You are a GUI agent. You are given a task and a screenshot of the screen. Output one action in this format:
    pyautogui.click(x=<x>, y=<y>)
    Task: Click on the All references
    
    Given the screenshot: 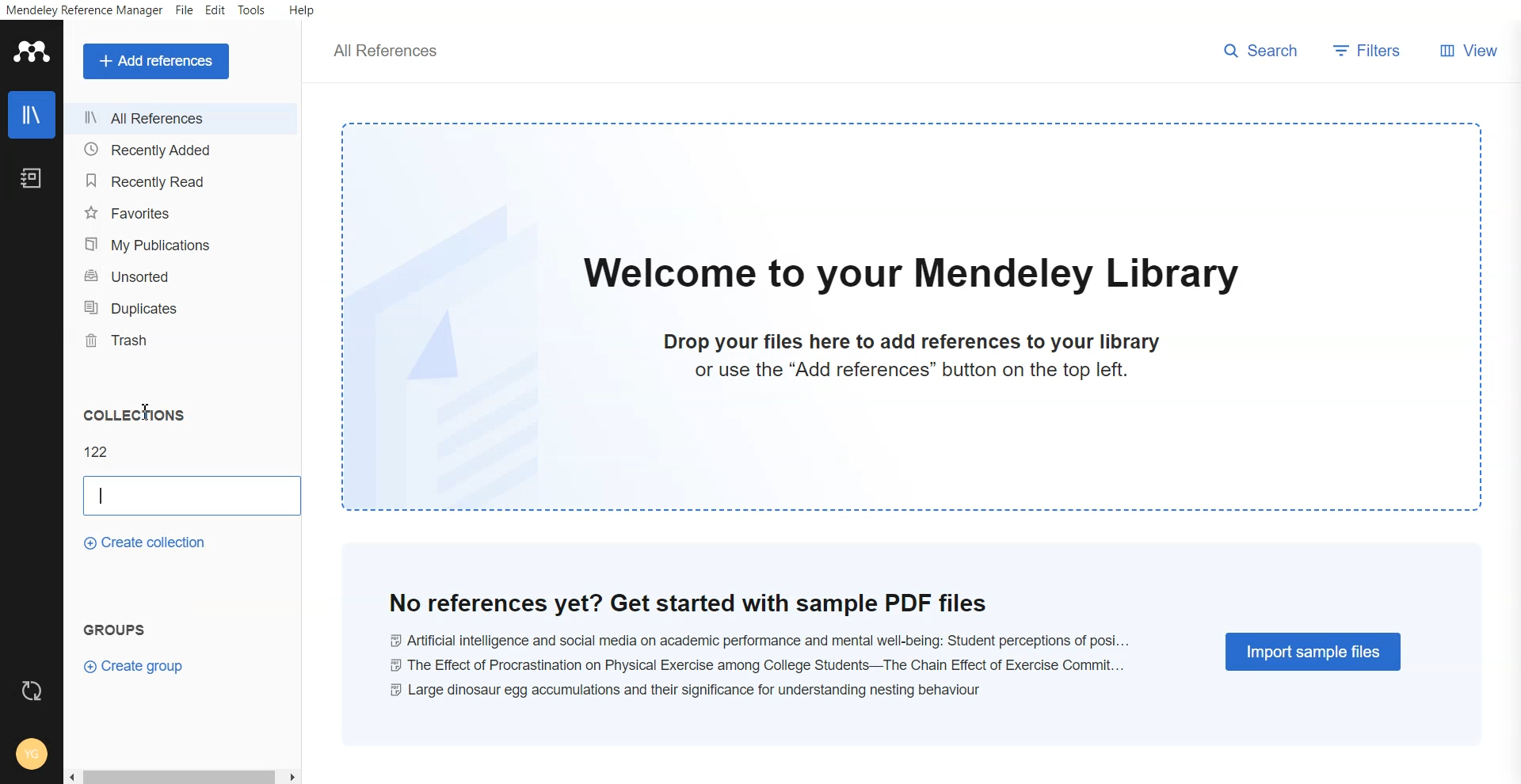 What is the action you would take?
    pyautogui.click(x=181, y=119)
    